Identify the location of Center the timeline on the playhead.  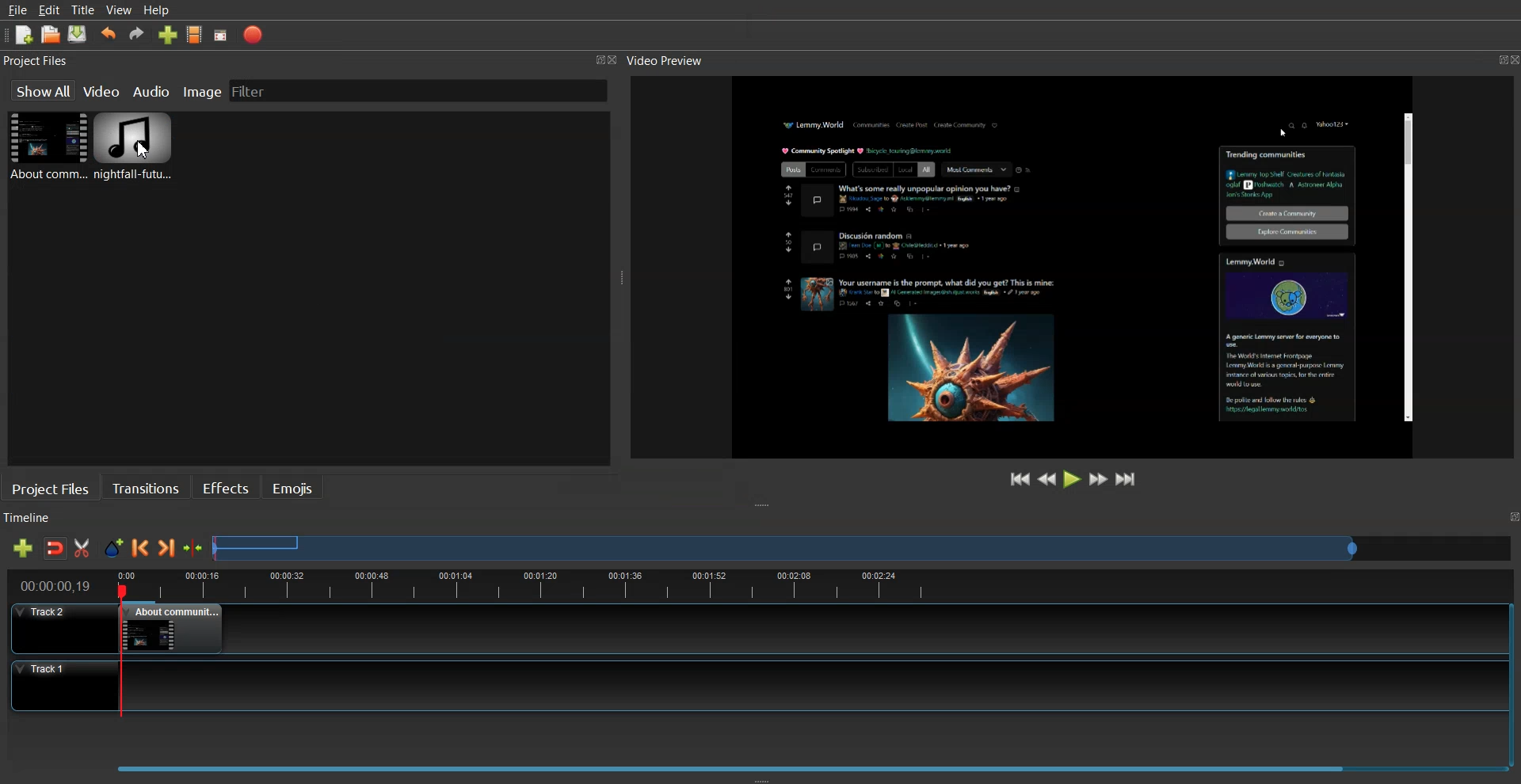
(194, 548).